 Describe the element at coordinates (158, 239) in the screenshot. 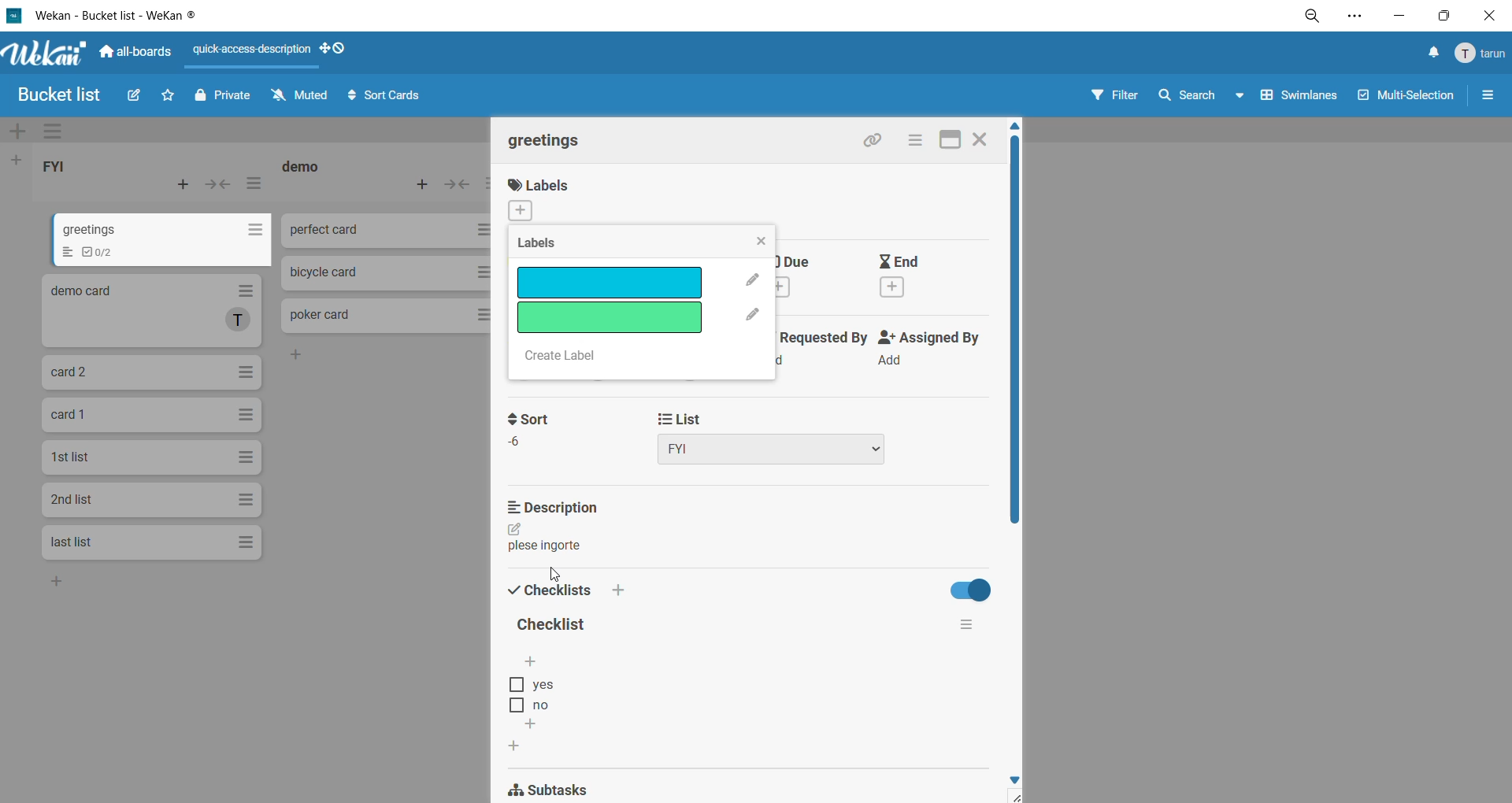

I see `greetings` at that location.